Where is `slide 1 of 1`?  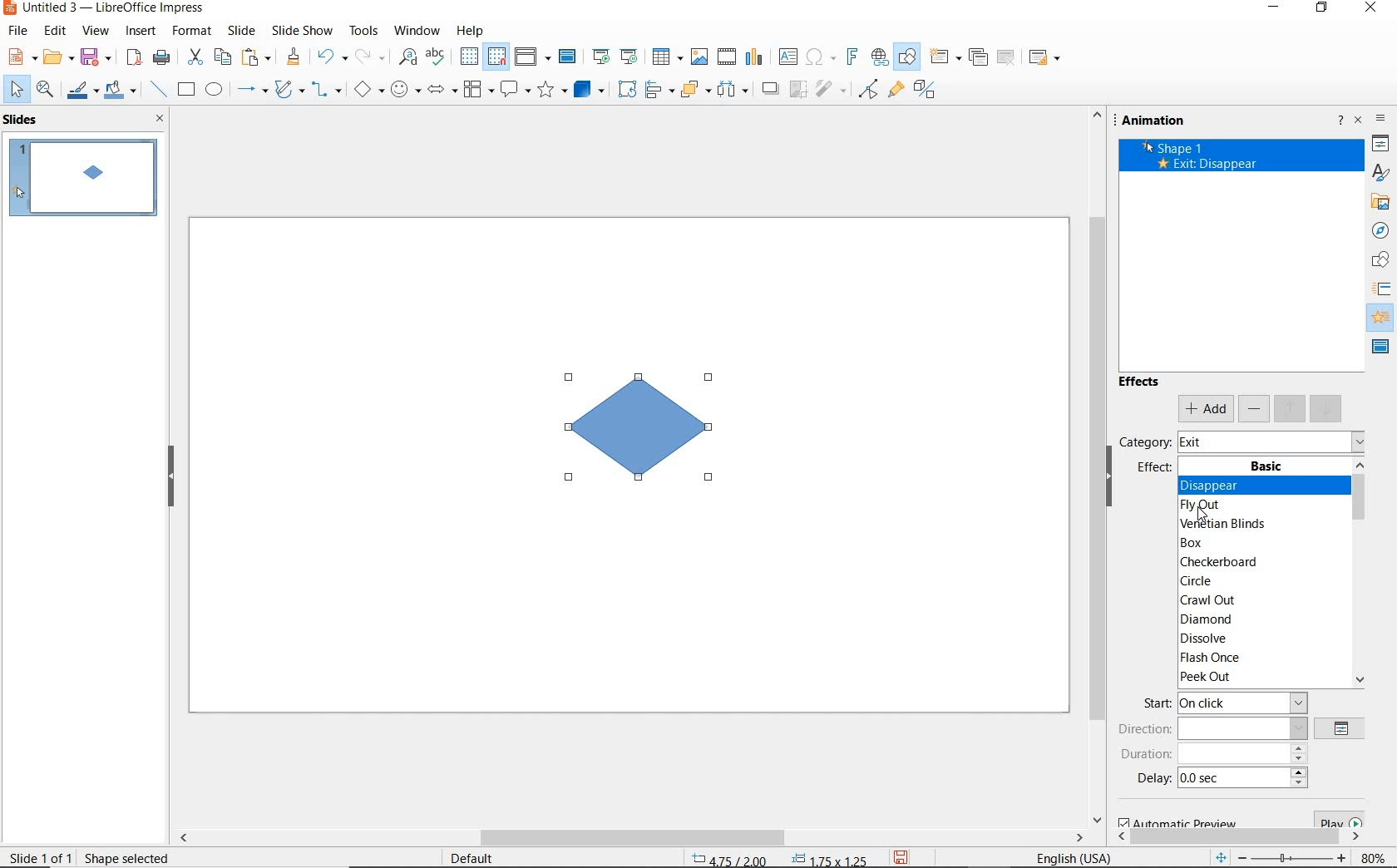 slide 1 of 1 is located at coordinates (40, 856).